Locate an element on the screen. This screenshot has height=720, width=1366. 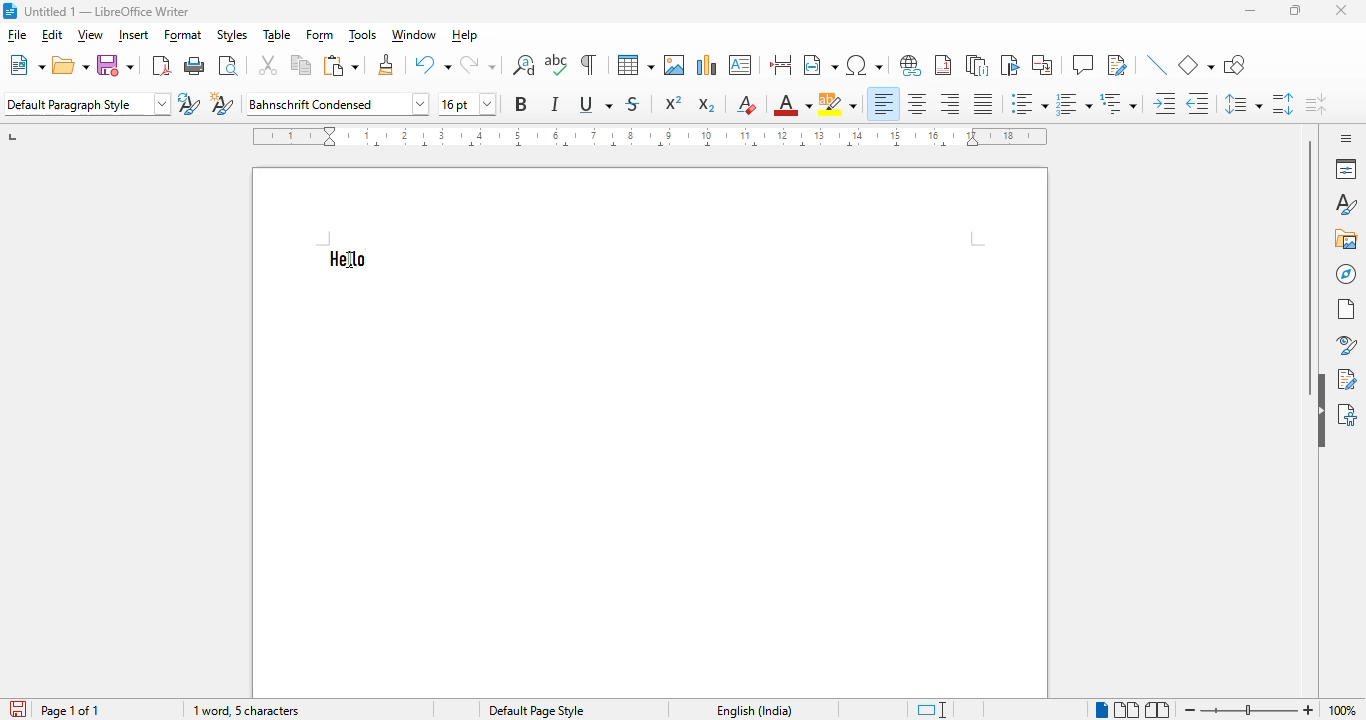
vertical scroll bar is located at coordinates (1310, 270).